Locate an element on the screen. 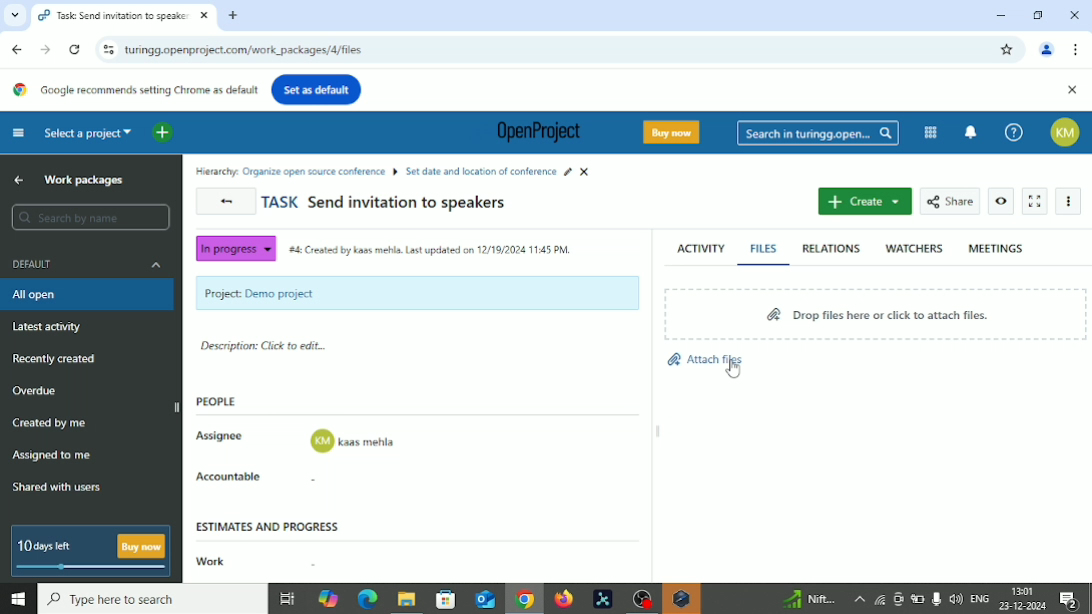 The height and width of the screenshot is (614, 1092). Estimates and progress is located at coordinates (271, 525).